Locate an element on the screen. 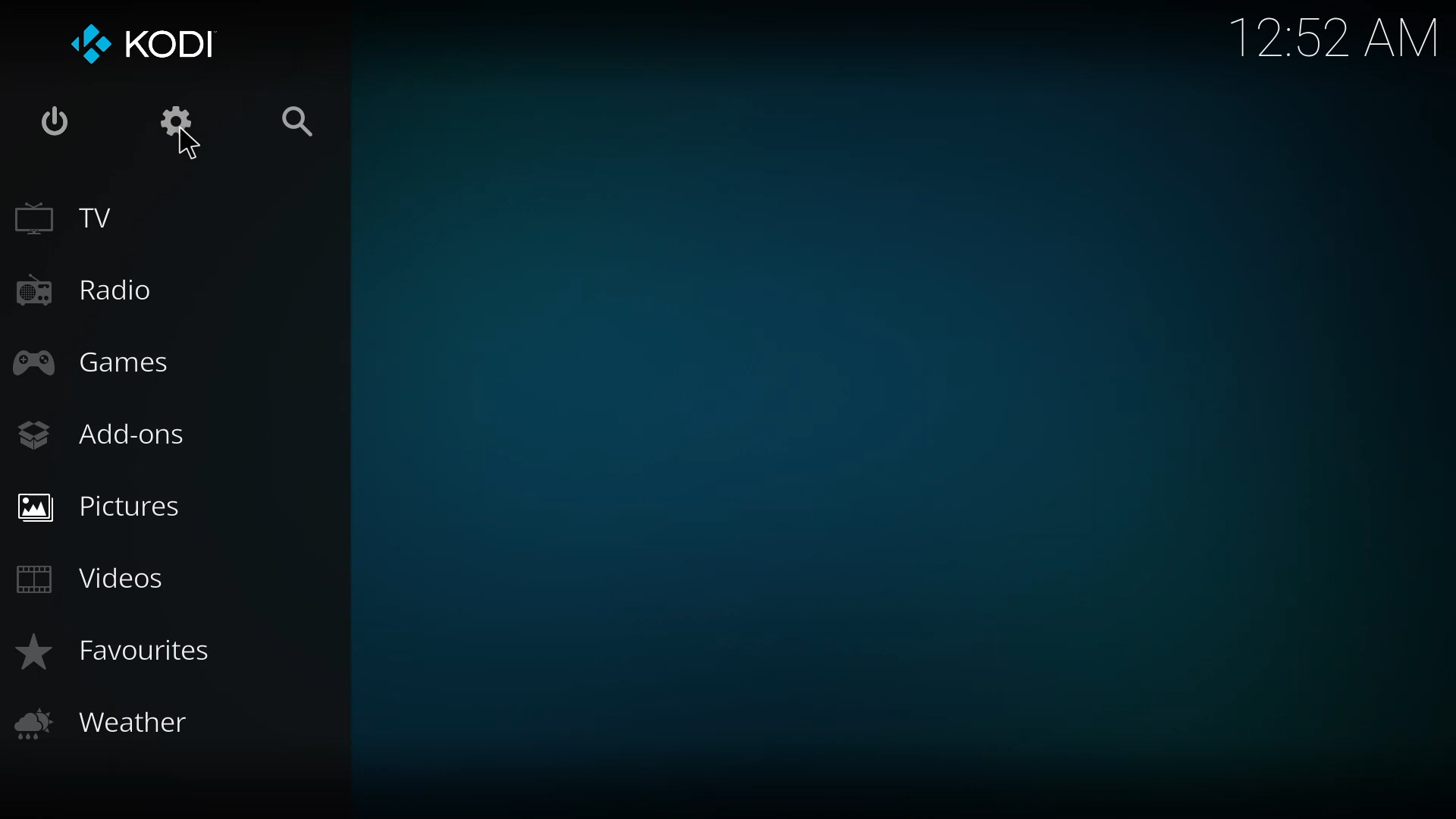 This screenshot has width=1456, height=819. pictures is located at coordinates (103, 506).